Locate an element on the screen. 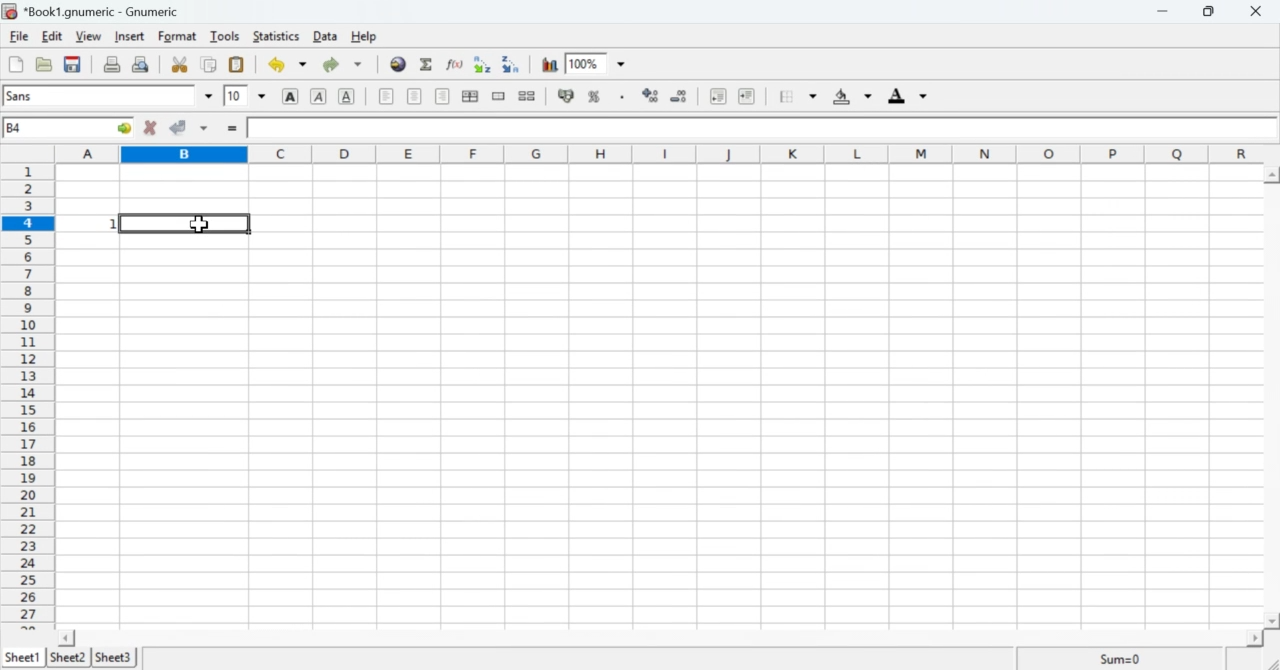  = is located at coordinates (231, 130).